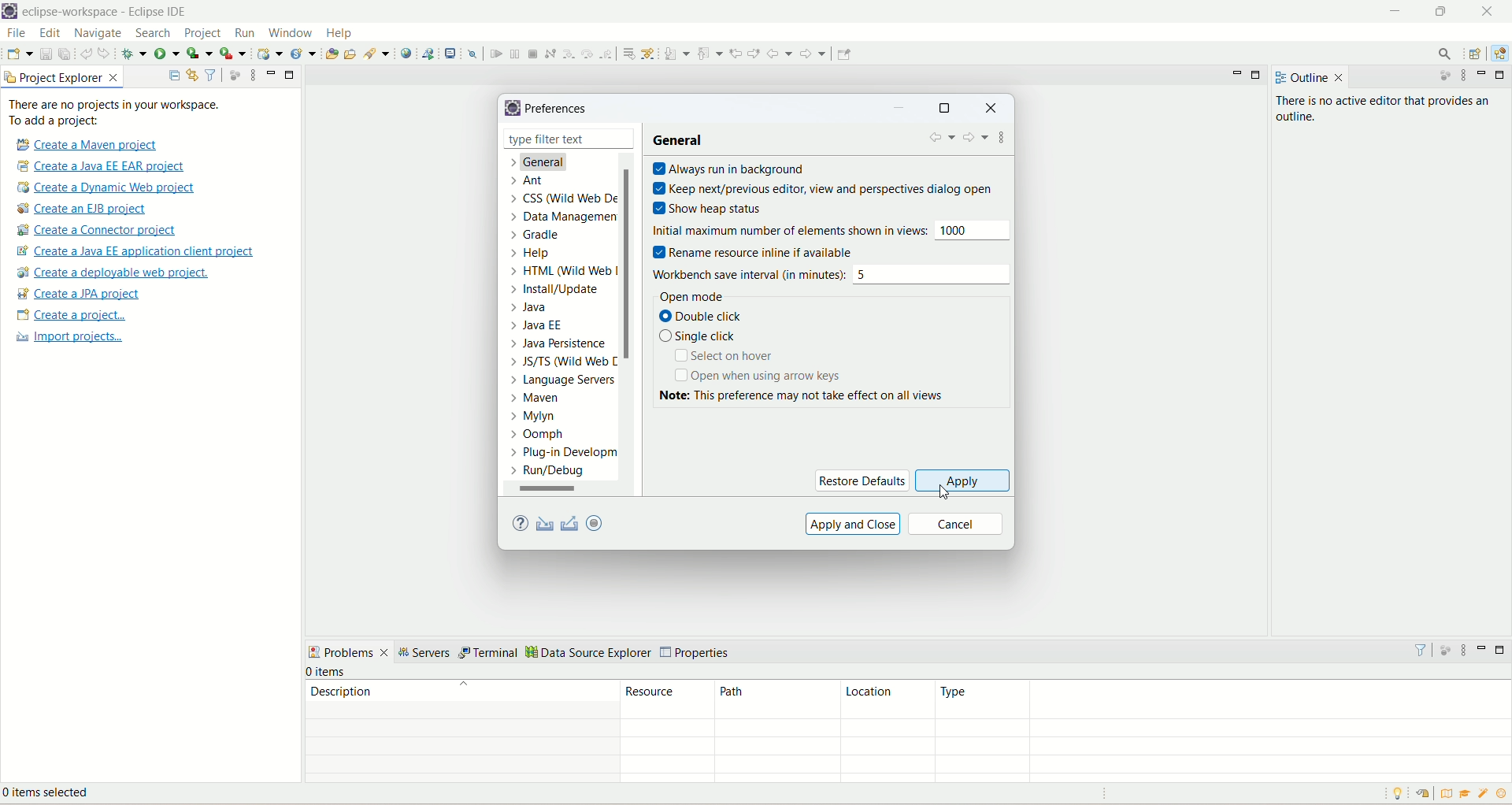 Image resolution: width=1512 pixels, height=805 pixels. I want to click on language server, so click(561, 383).